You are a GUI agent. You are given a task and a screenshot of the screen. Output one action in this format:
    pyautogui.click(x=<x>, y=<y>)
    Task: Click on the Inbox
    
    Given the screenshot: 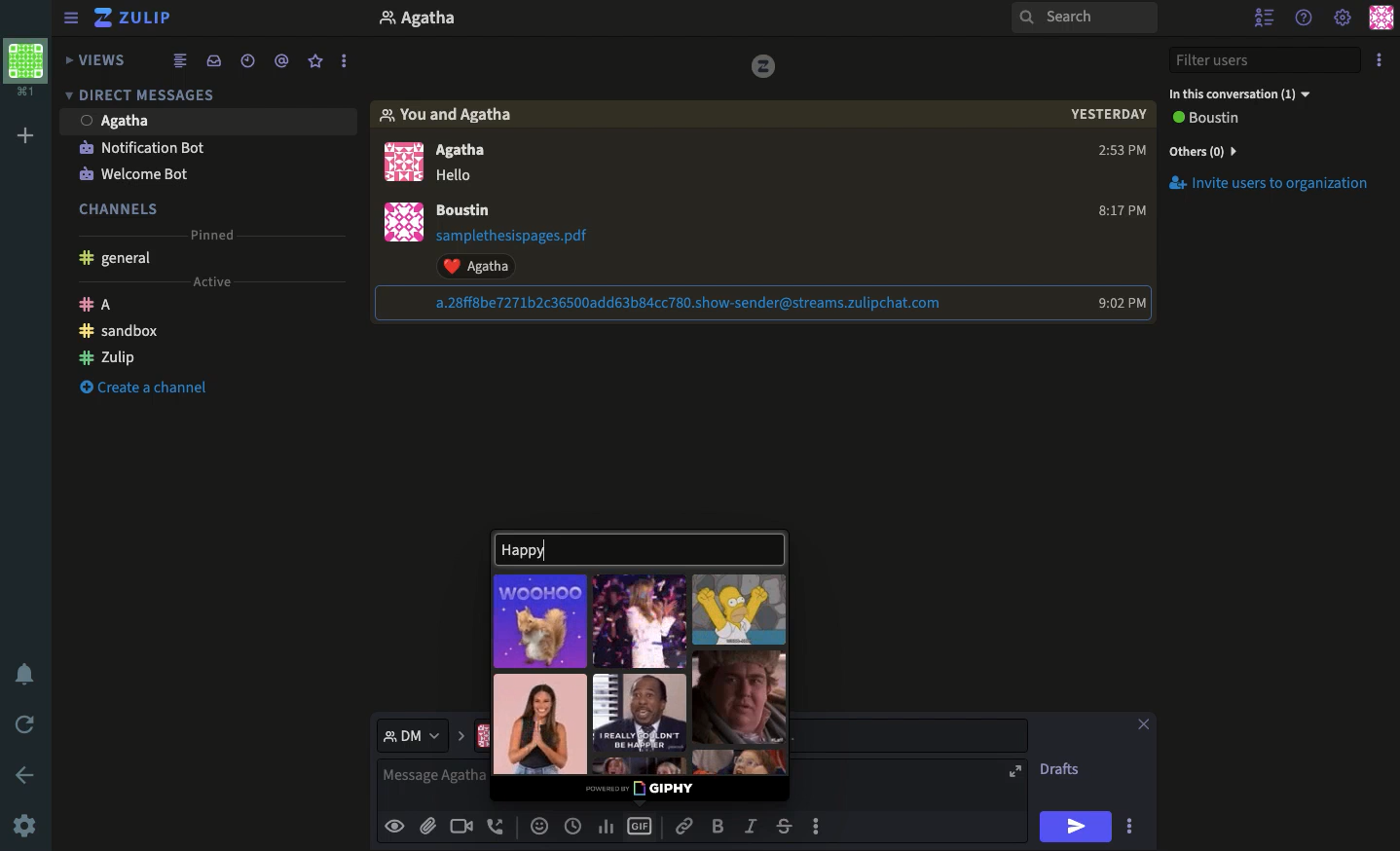 What is the action you would take?
    pyautogui.click(x=218, y=61)
    